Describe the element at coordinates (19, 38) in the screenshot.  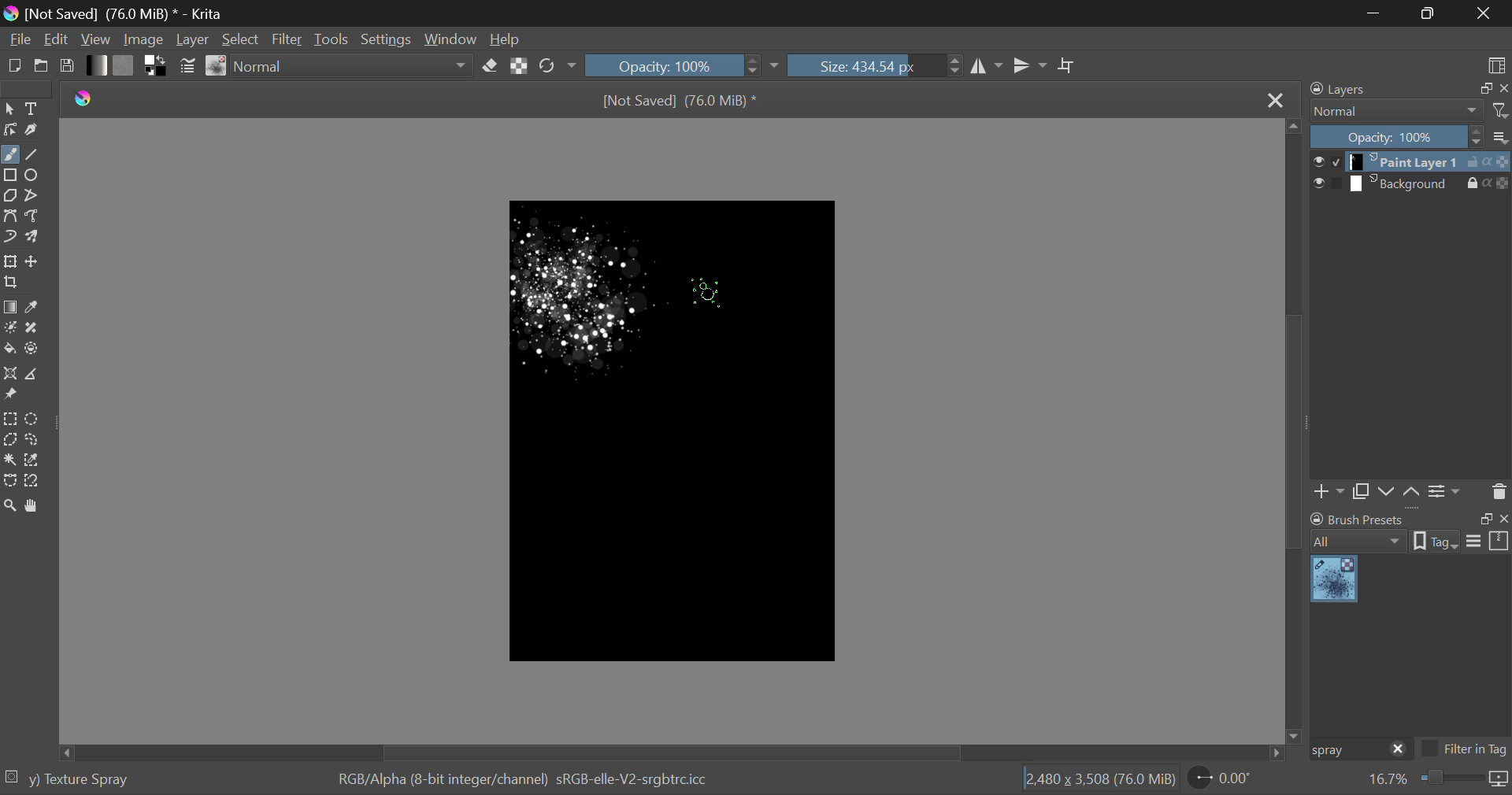
I see `File` at that location.